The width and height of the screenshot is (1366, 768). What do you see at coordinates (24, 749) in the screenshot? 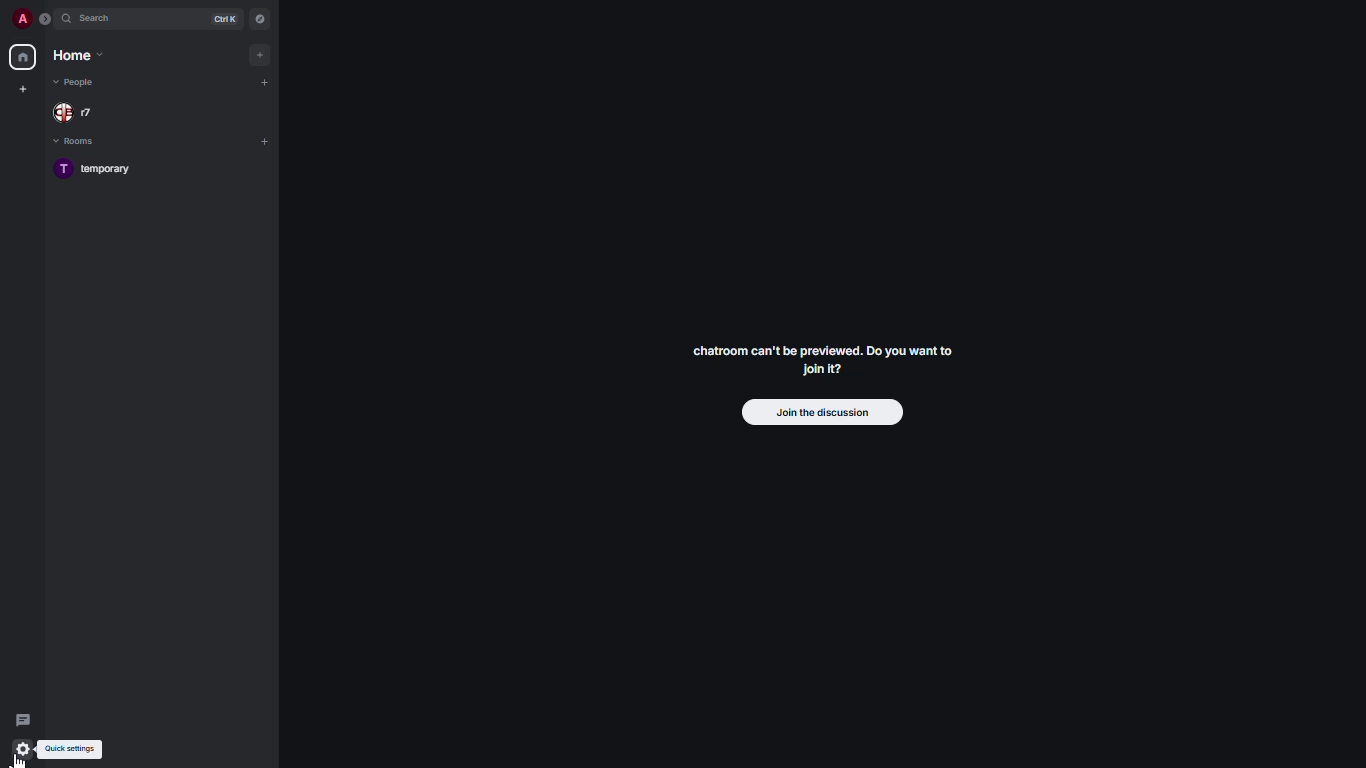
I see `quick settings` at bounding box center [24, 749].